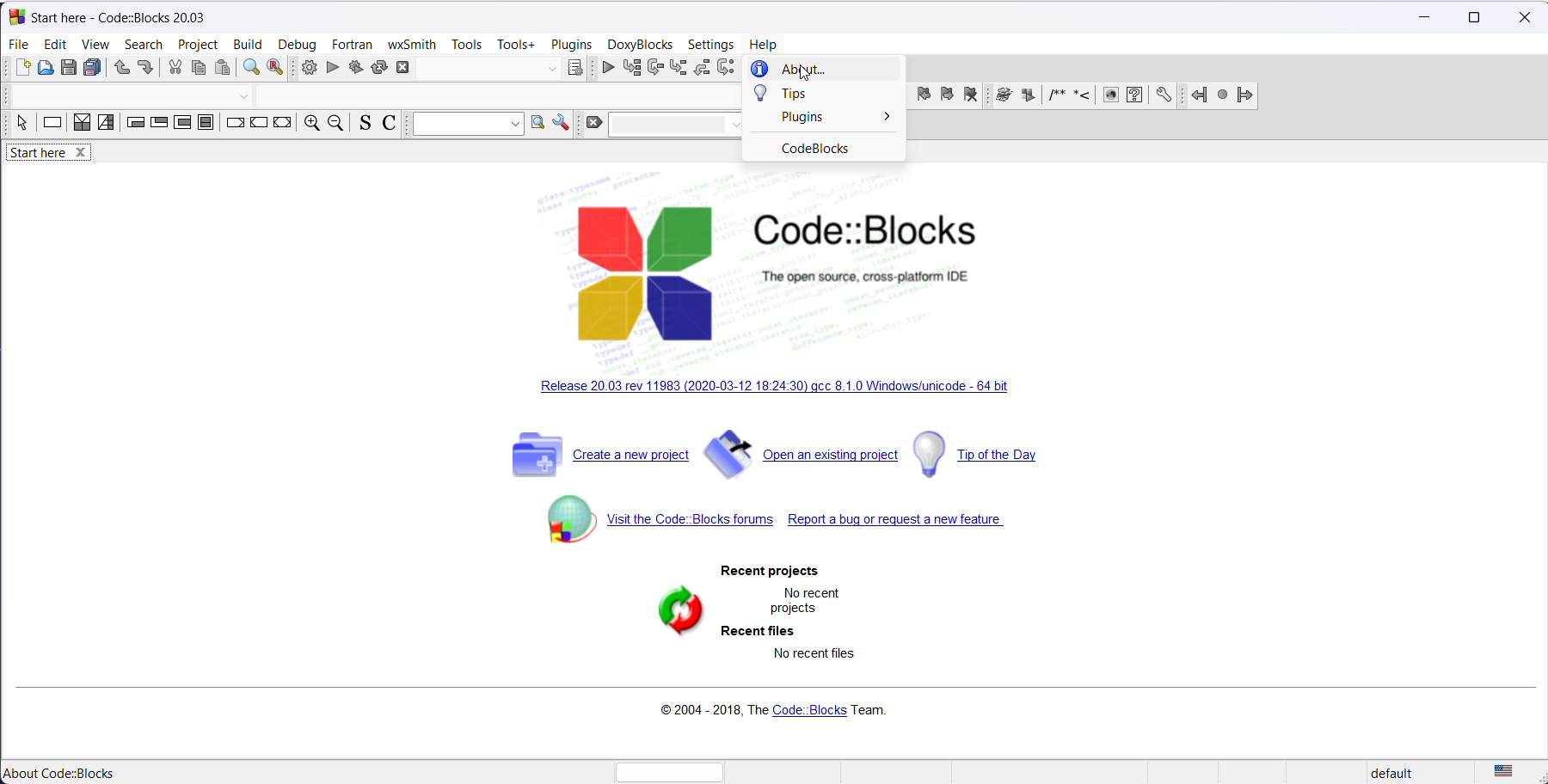  What do you see at coordinates (594, 126) in the screenshot?
I see `clear` at bounding box center [594, 126].